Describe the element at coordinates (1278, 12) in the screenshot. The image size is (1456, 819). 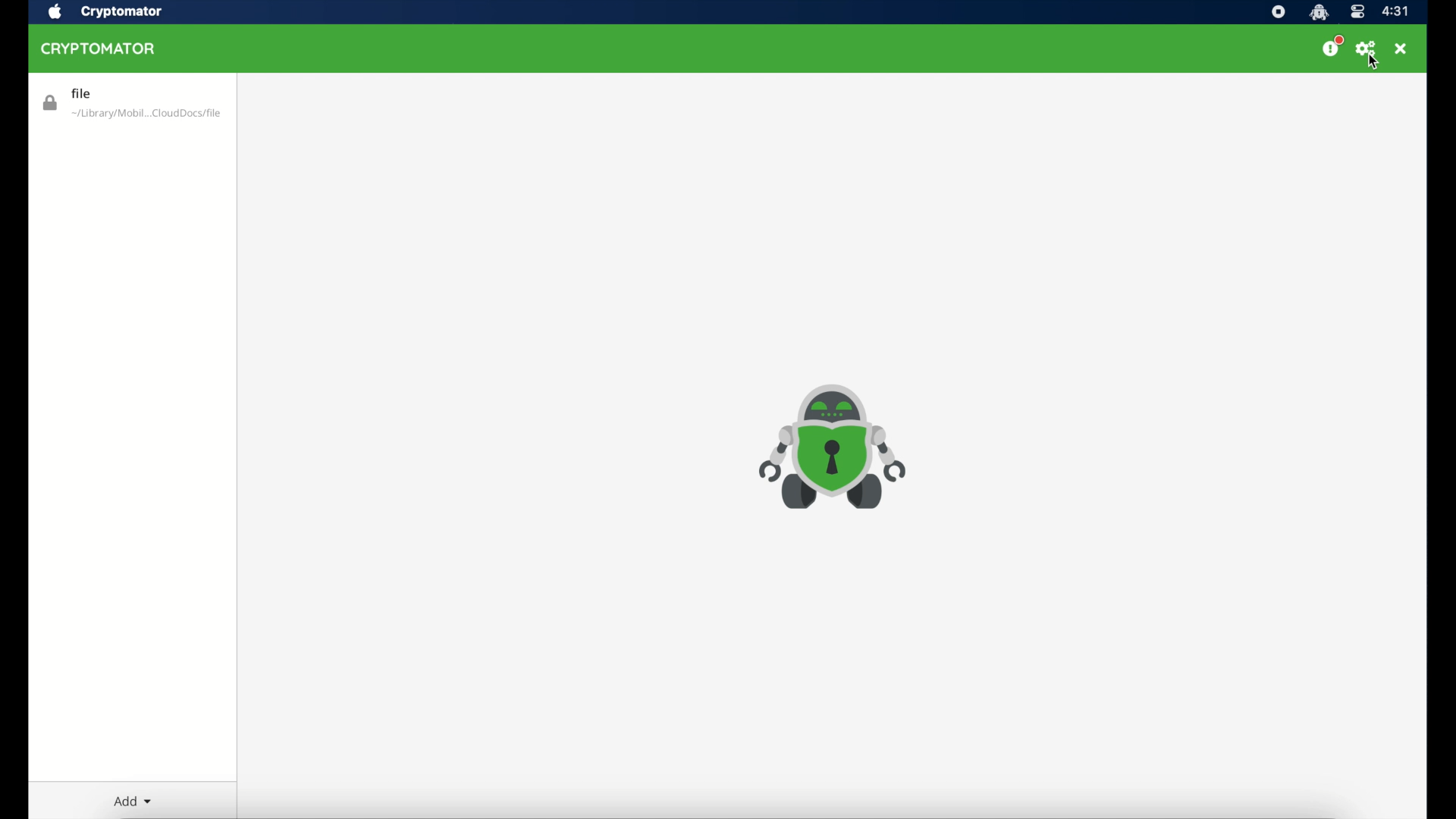
I see `screen recorder icon` at that location.